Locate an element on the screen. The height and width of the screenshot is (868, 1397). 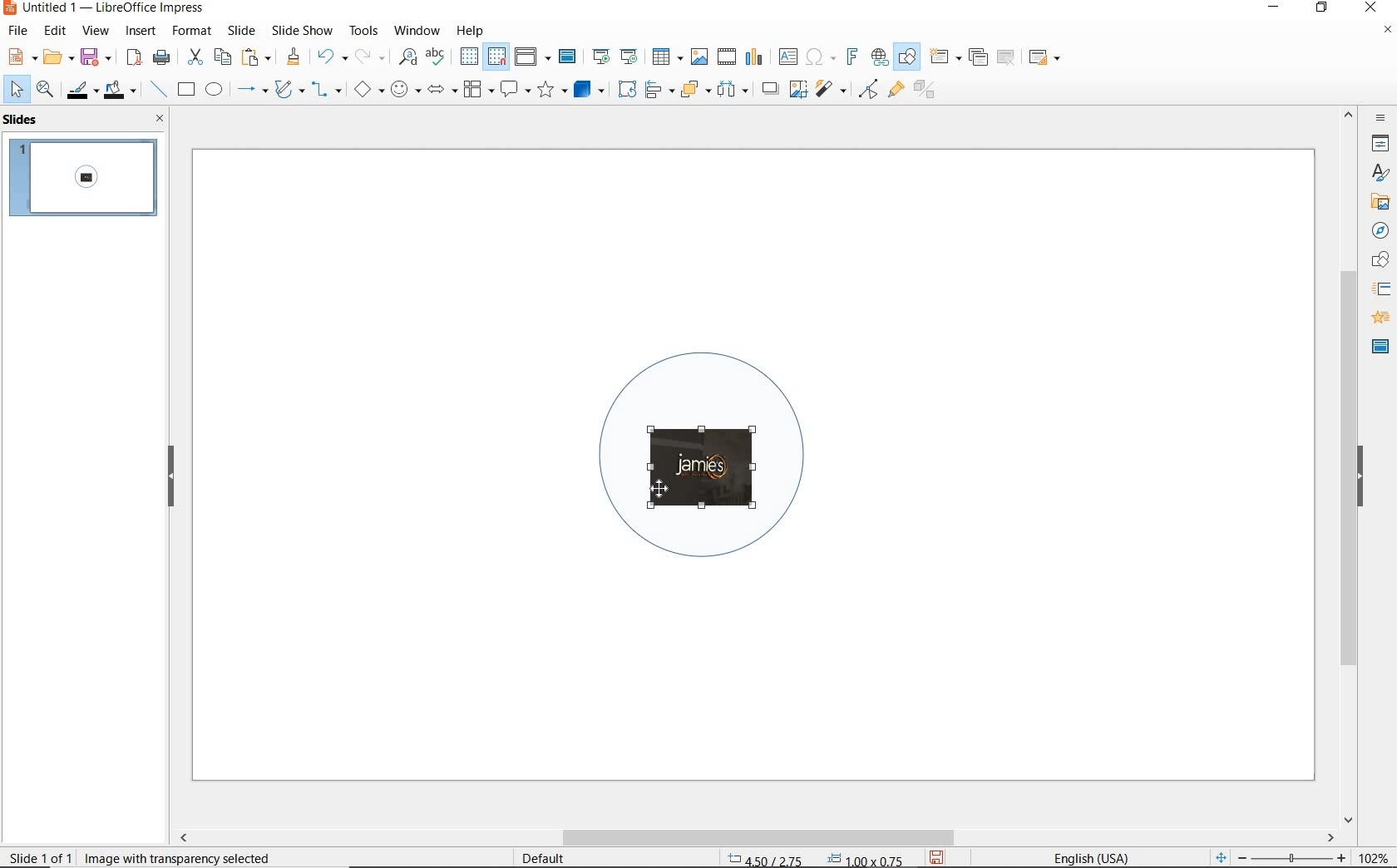
new slide is located at coordinates (945, 57).